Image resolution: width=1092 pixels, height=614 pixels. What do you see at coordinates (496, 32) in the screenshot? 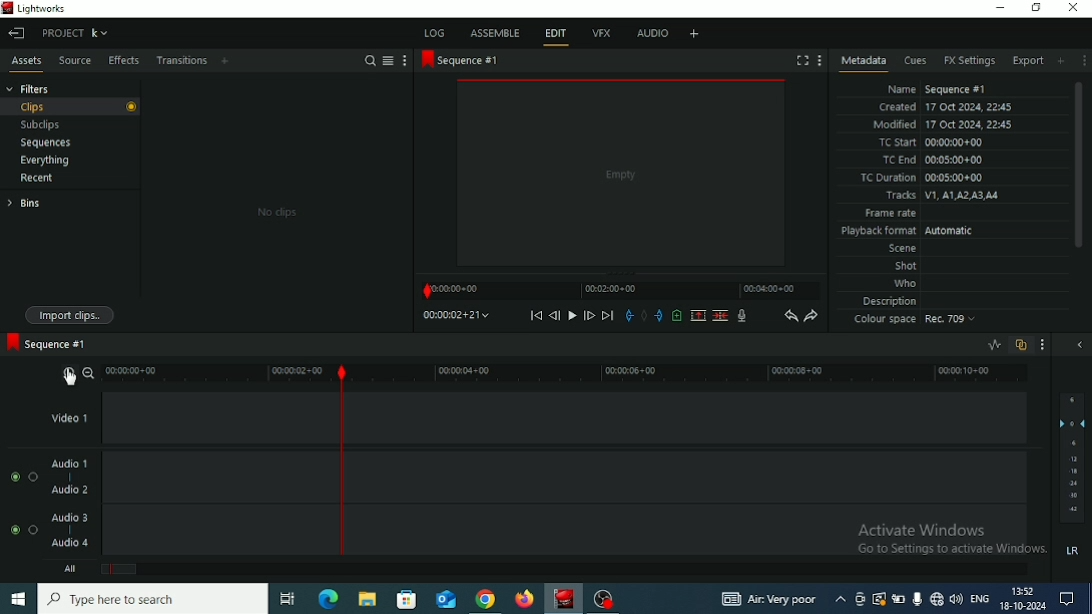
I see `ASSEMBLE` at bounding box center [496, 32].